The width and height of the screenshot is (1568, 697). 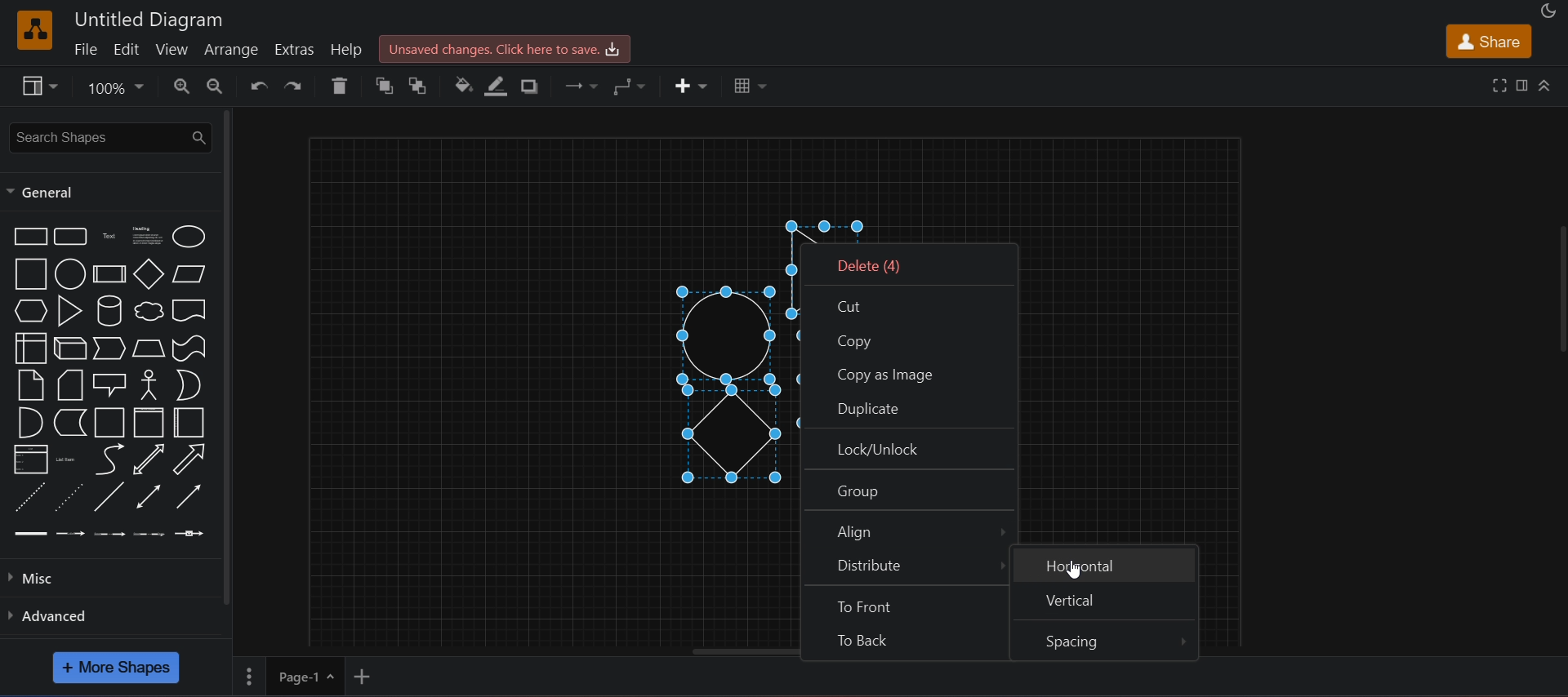 I want to click on notes, so click(x=30, y=385).